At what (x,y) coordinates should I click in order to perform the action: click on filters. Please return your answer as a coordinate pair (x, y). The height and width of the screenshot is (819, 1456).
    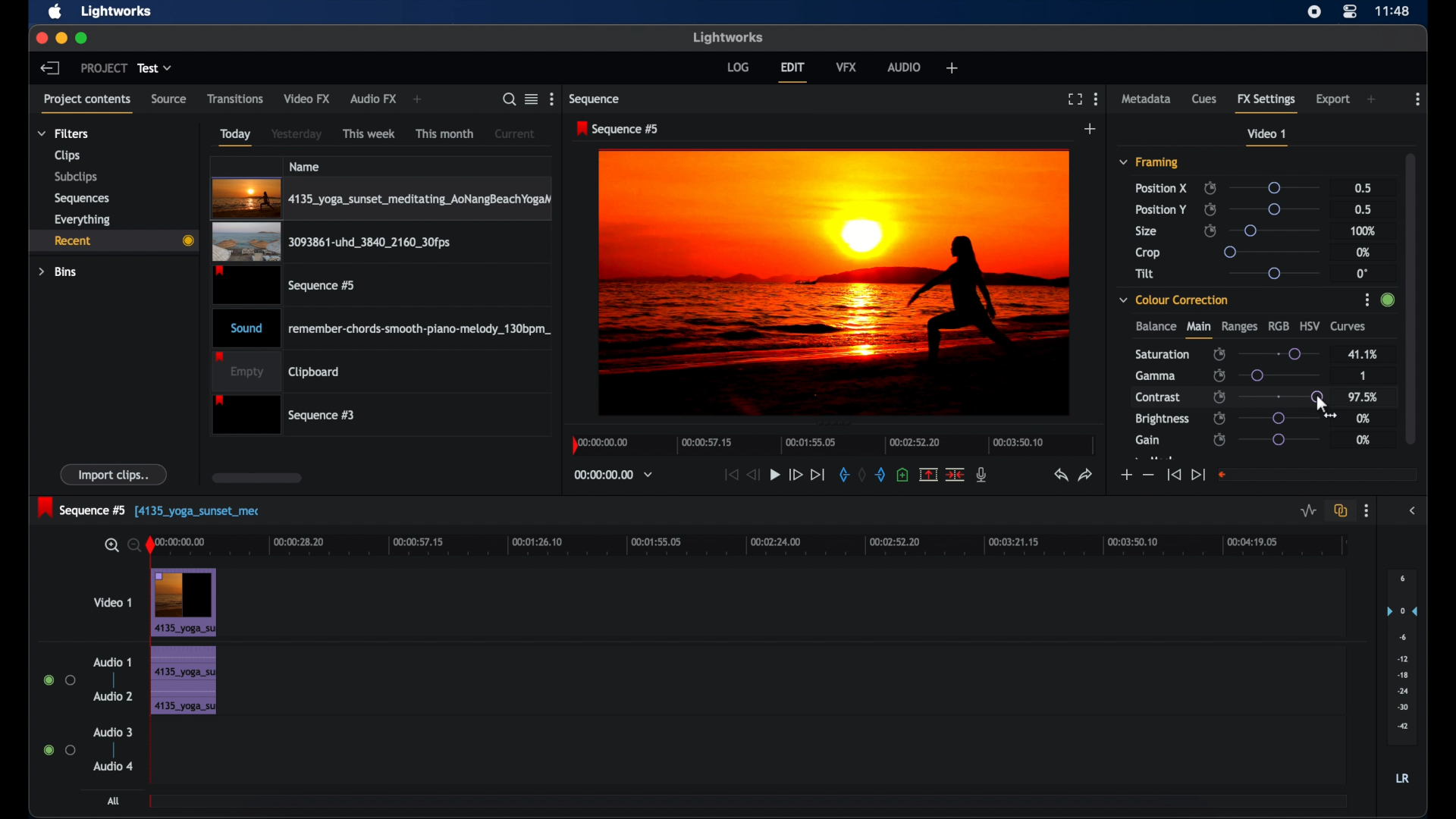
    Looking at the image, I should click on (62, 133).